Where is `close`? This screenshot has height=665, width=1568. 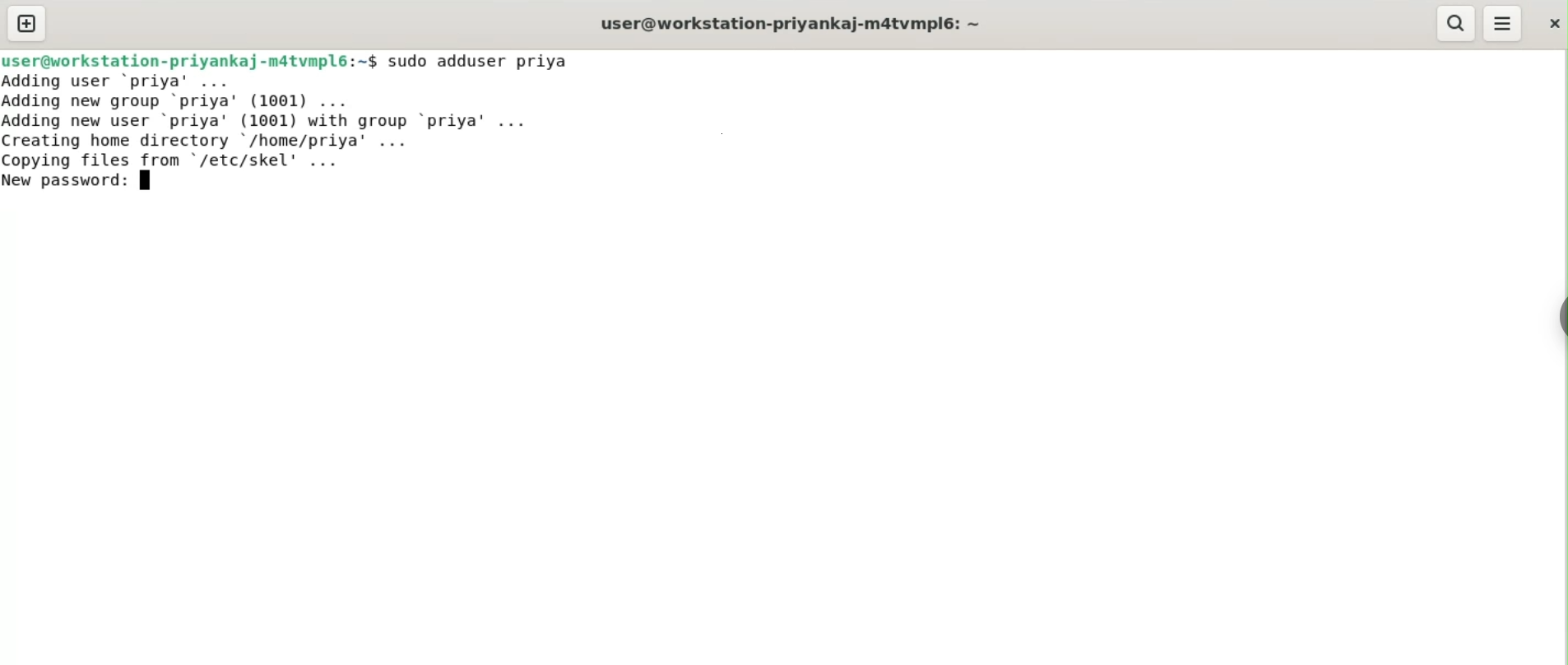 close is located at coordinates (1552, 23).